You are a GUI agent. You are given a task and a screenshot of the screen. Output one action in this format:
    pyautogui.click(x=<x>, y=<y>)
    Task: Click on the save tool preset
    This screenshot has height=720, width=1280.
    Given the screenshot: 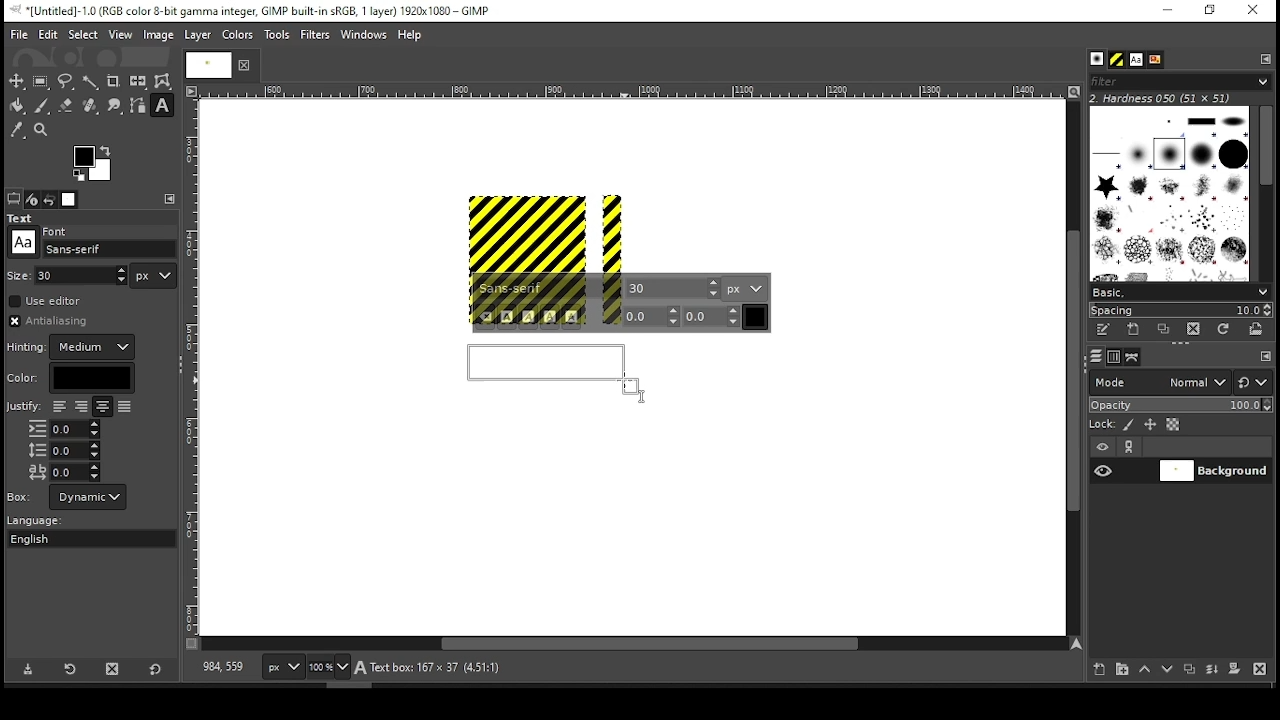 What is the action you would take?
    pyautogui.click(x=30, y=668)
    